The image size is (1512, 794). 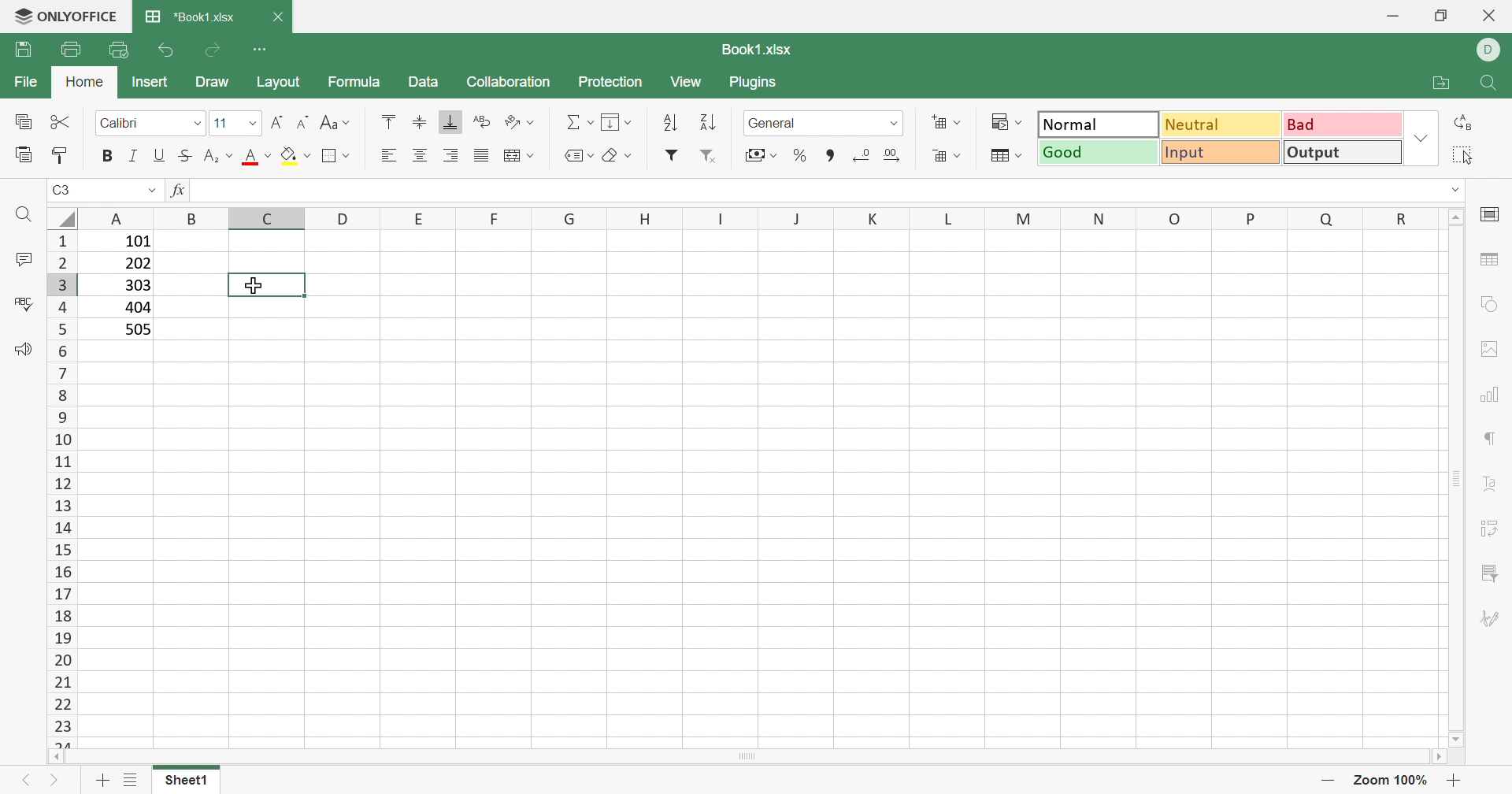 I want to click on Scroll Up settings, so click(x=1456, y=216).